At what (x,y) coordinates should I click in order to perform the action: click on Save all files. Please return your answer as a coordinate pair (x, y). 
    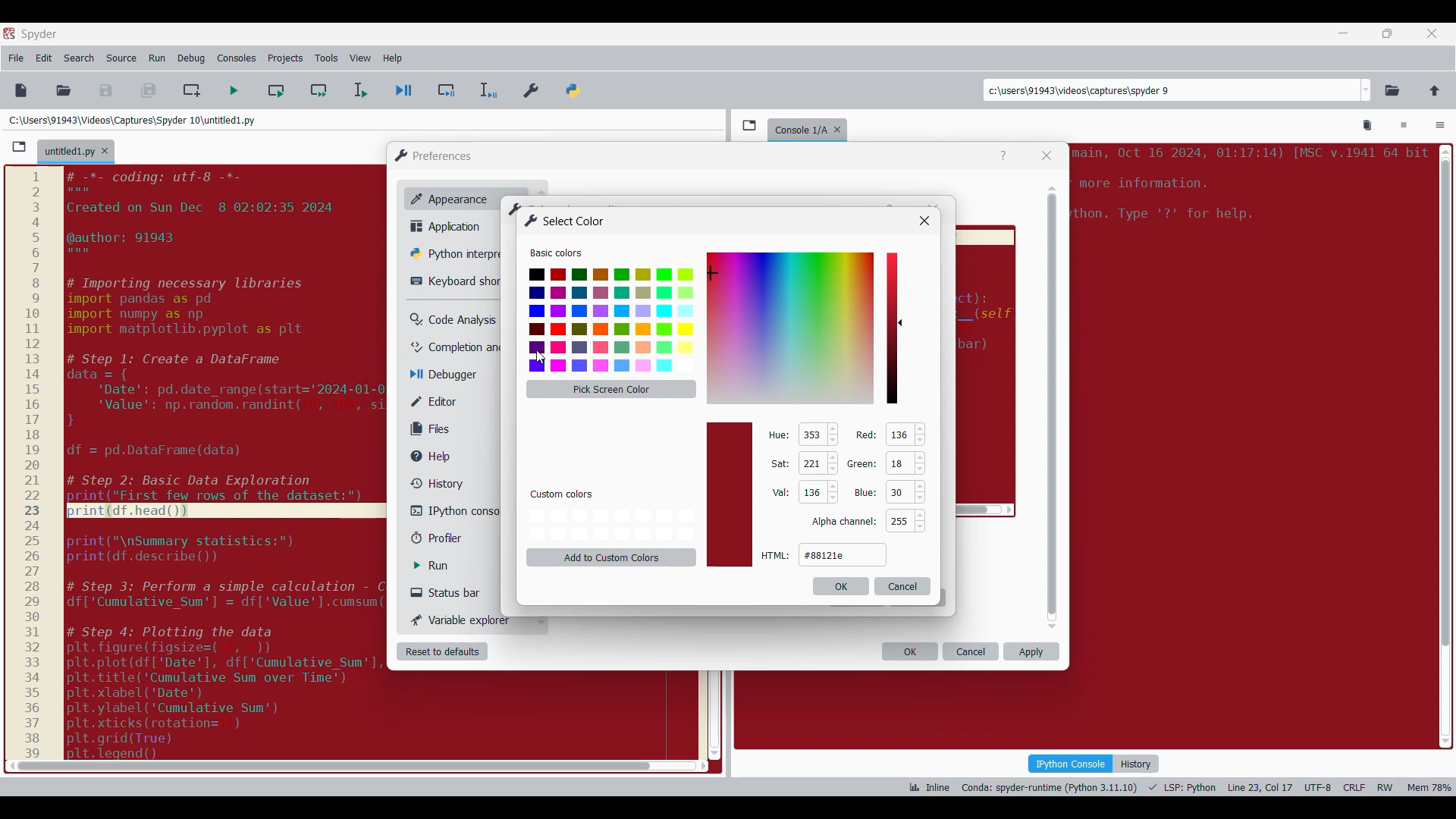
    Looking at the image, I should click on (148, 90).